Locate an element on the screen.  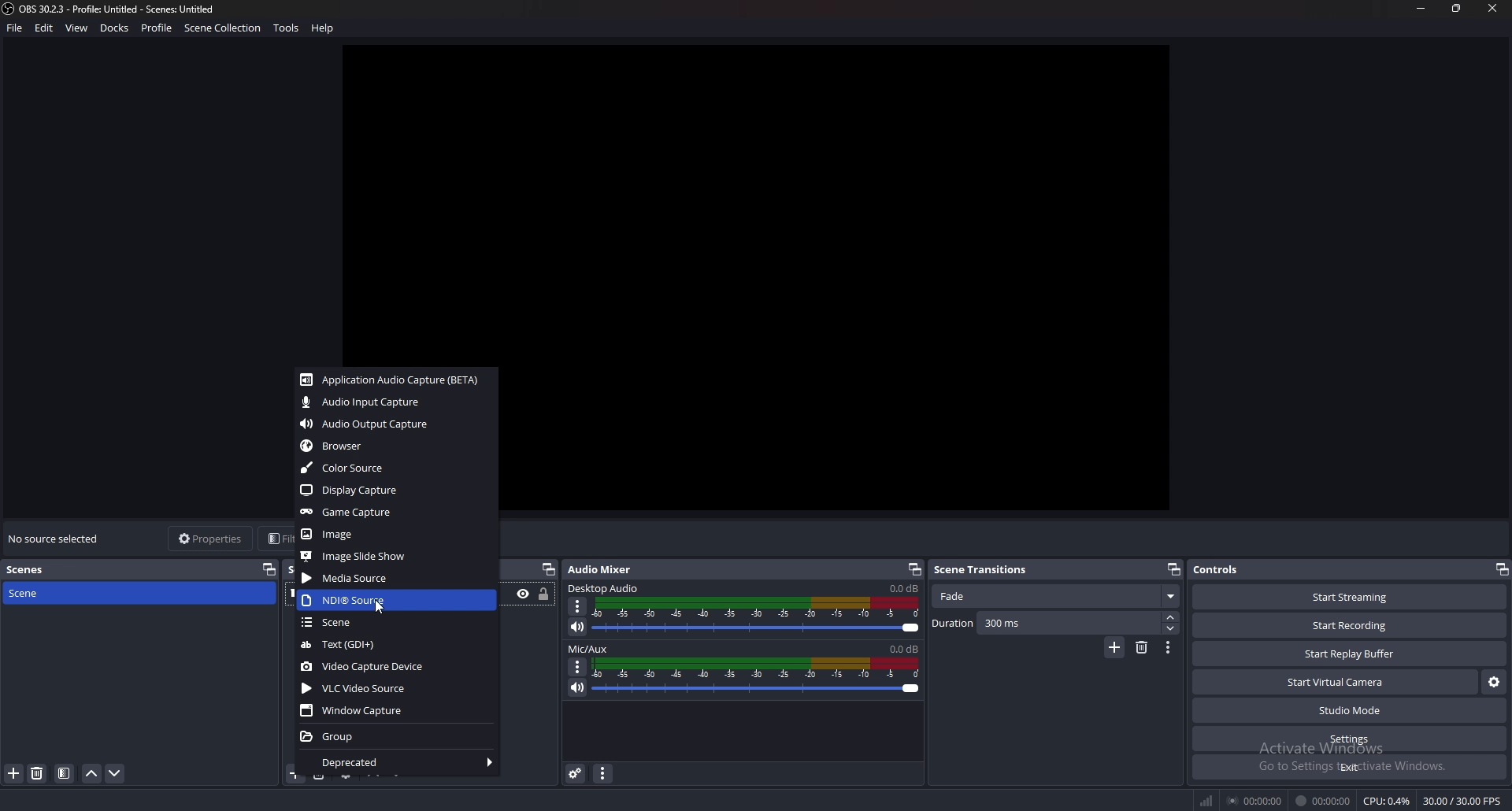
options is located at coordinates (577, 606).